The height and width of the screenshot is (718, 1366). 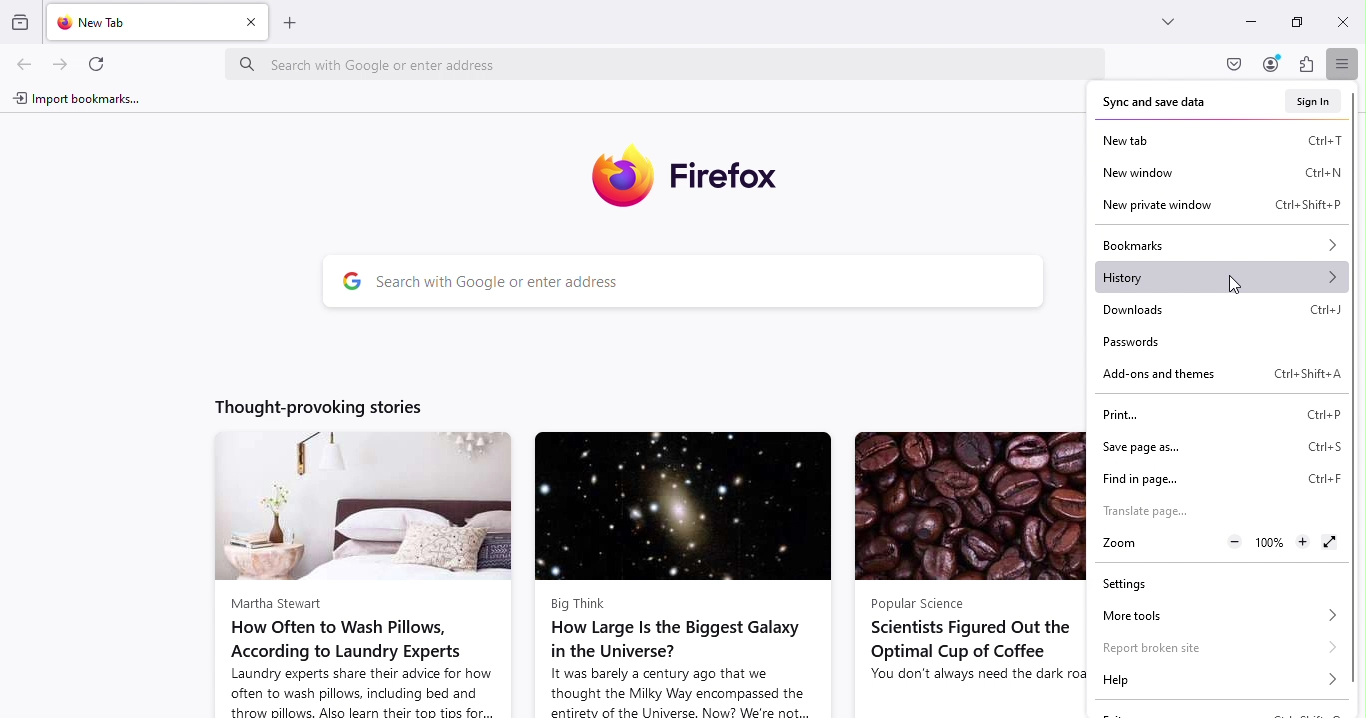 I want to click on Password, so click(x=1133, y=344).